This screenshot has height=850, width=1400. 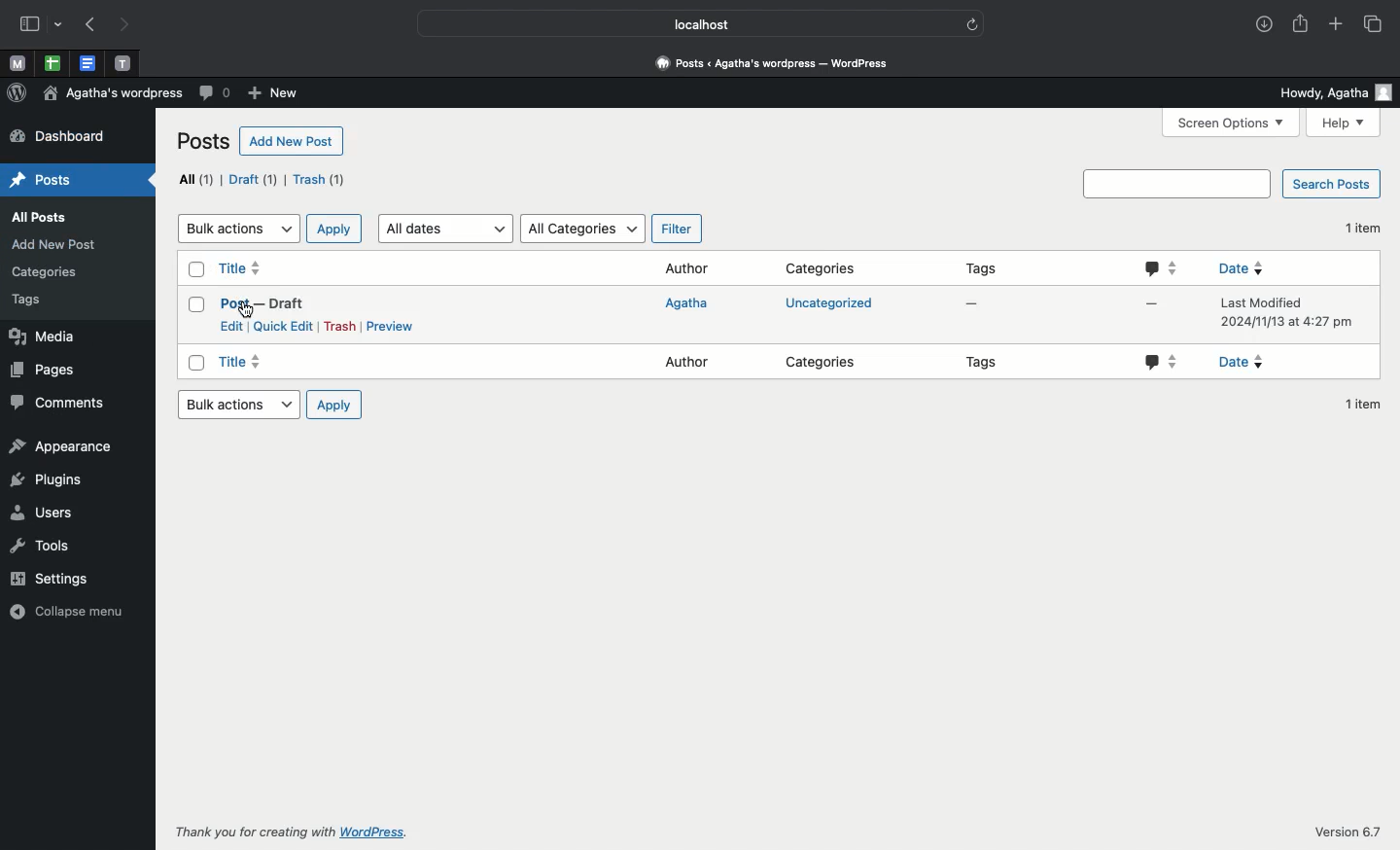 What do you see at coordinates (90, 26) in the screenshot?
I see `Previous page` at bounding box center [90, 26].